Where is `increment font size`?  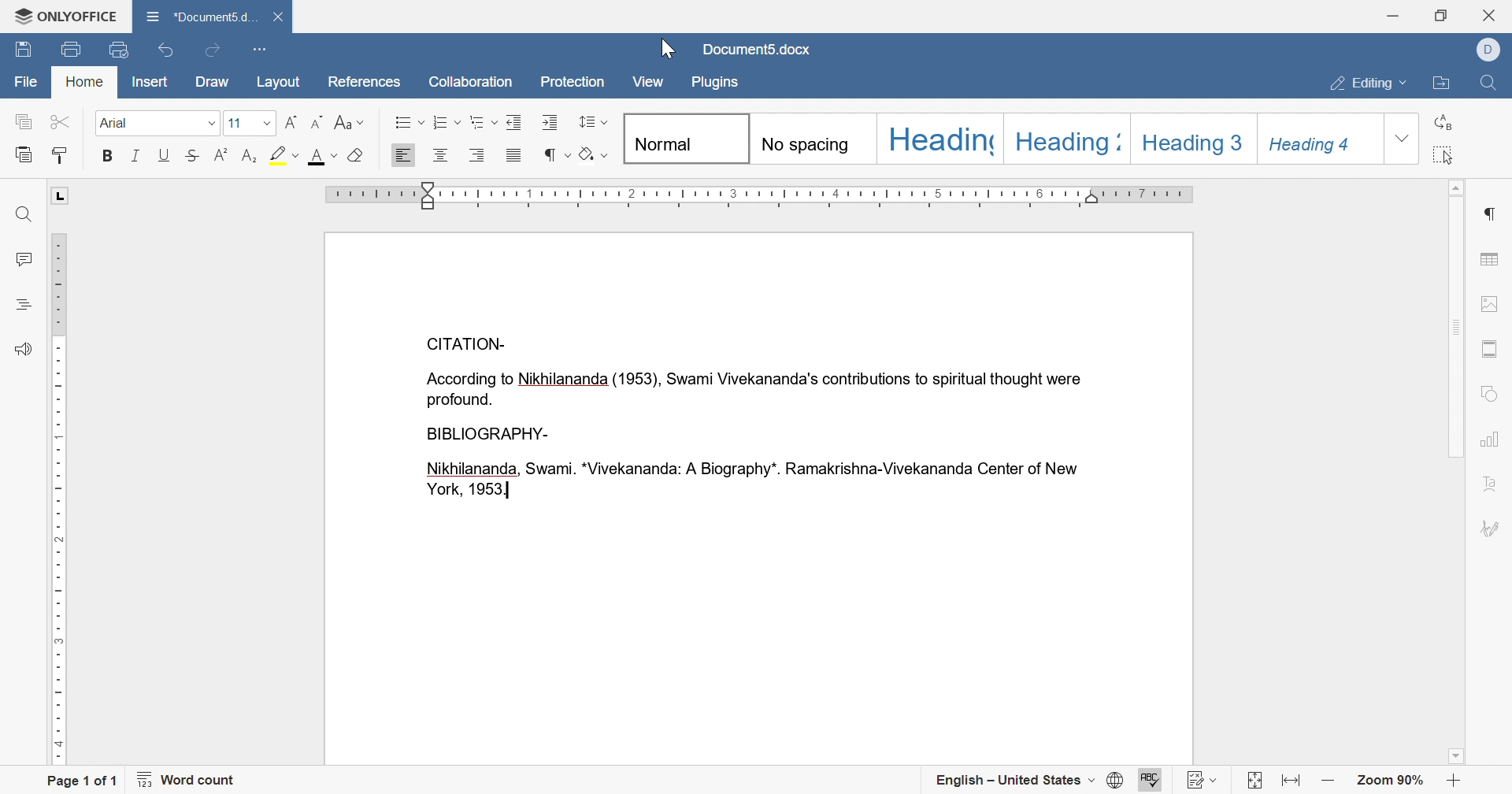 increment font size is located at coordinates (293, 124).